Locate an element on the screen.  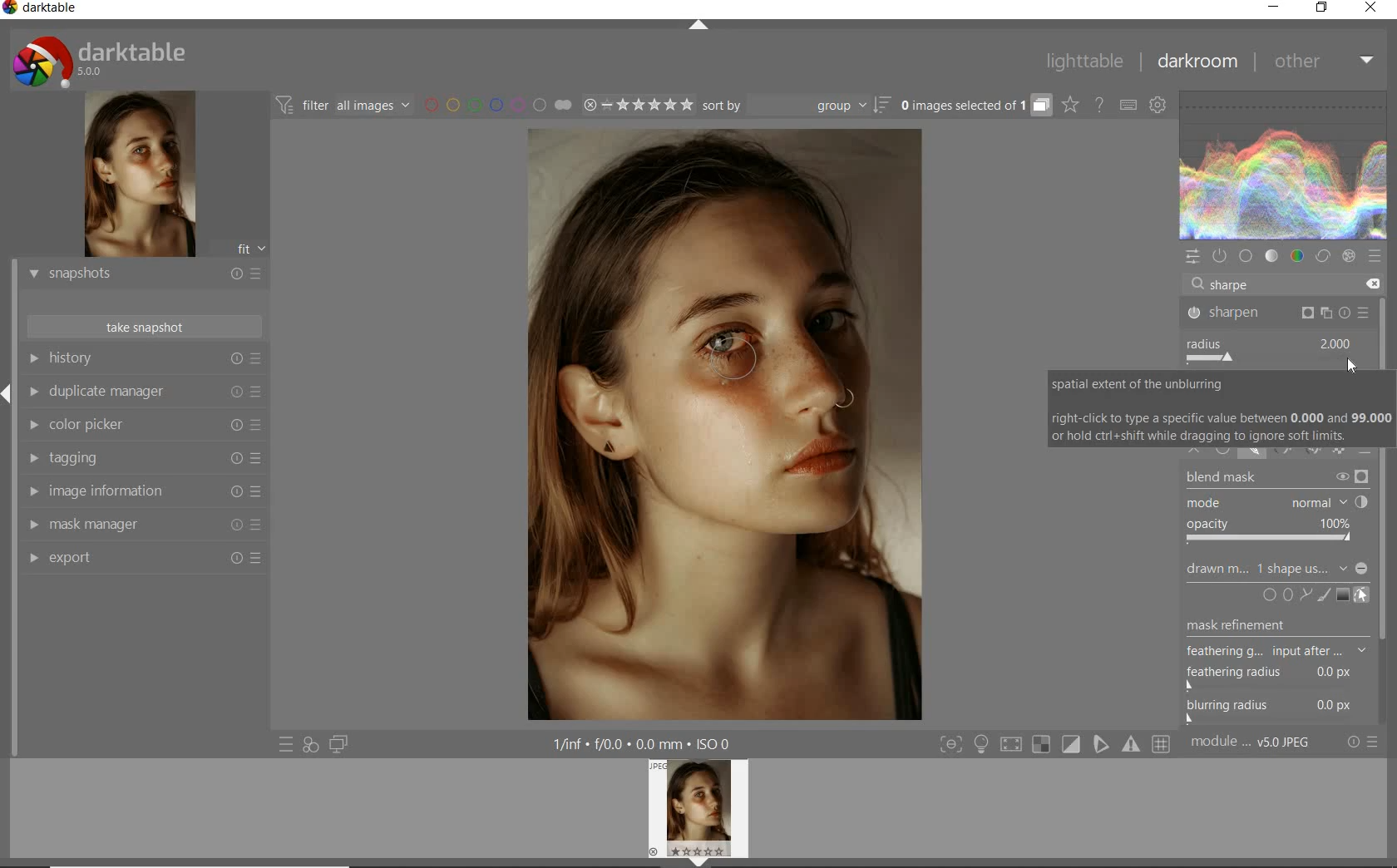
SHARPEN is located at coordinates (1279, 314).